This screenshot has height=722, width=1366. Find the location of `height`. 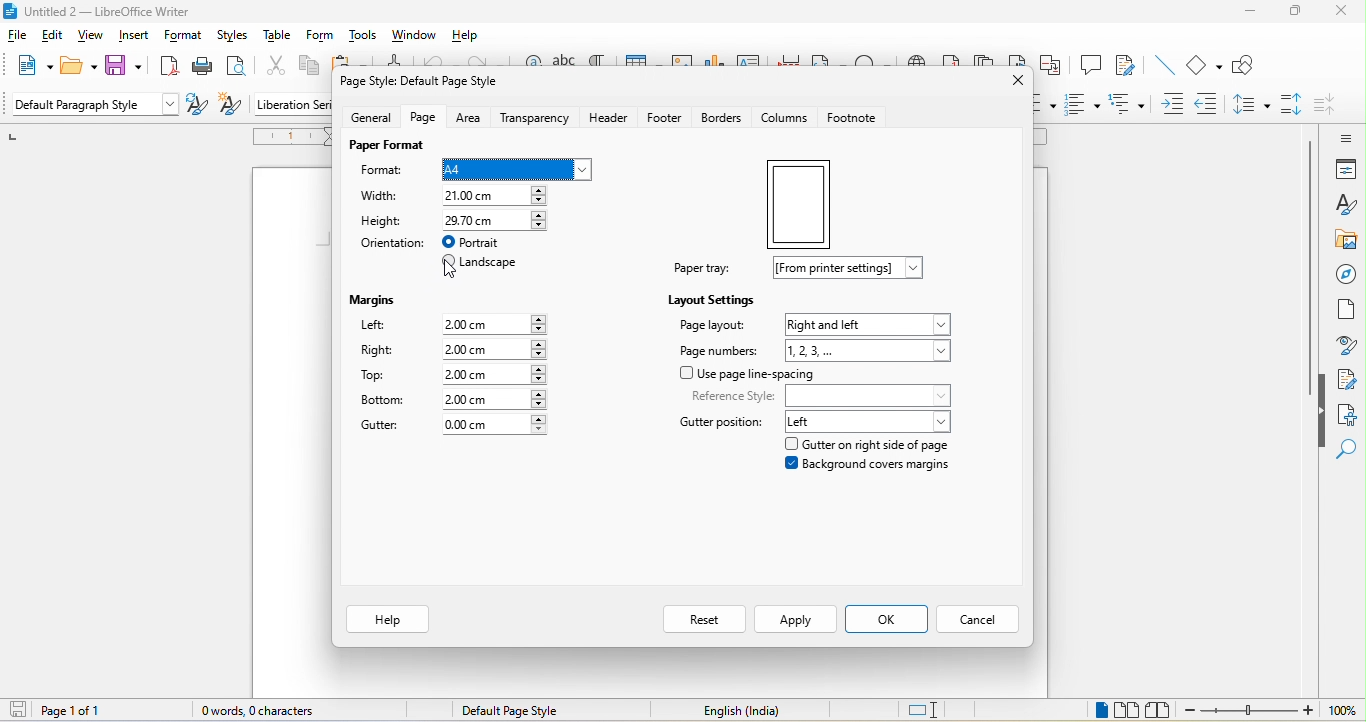

height is located at coordinates (384, 221).